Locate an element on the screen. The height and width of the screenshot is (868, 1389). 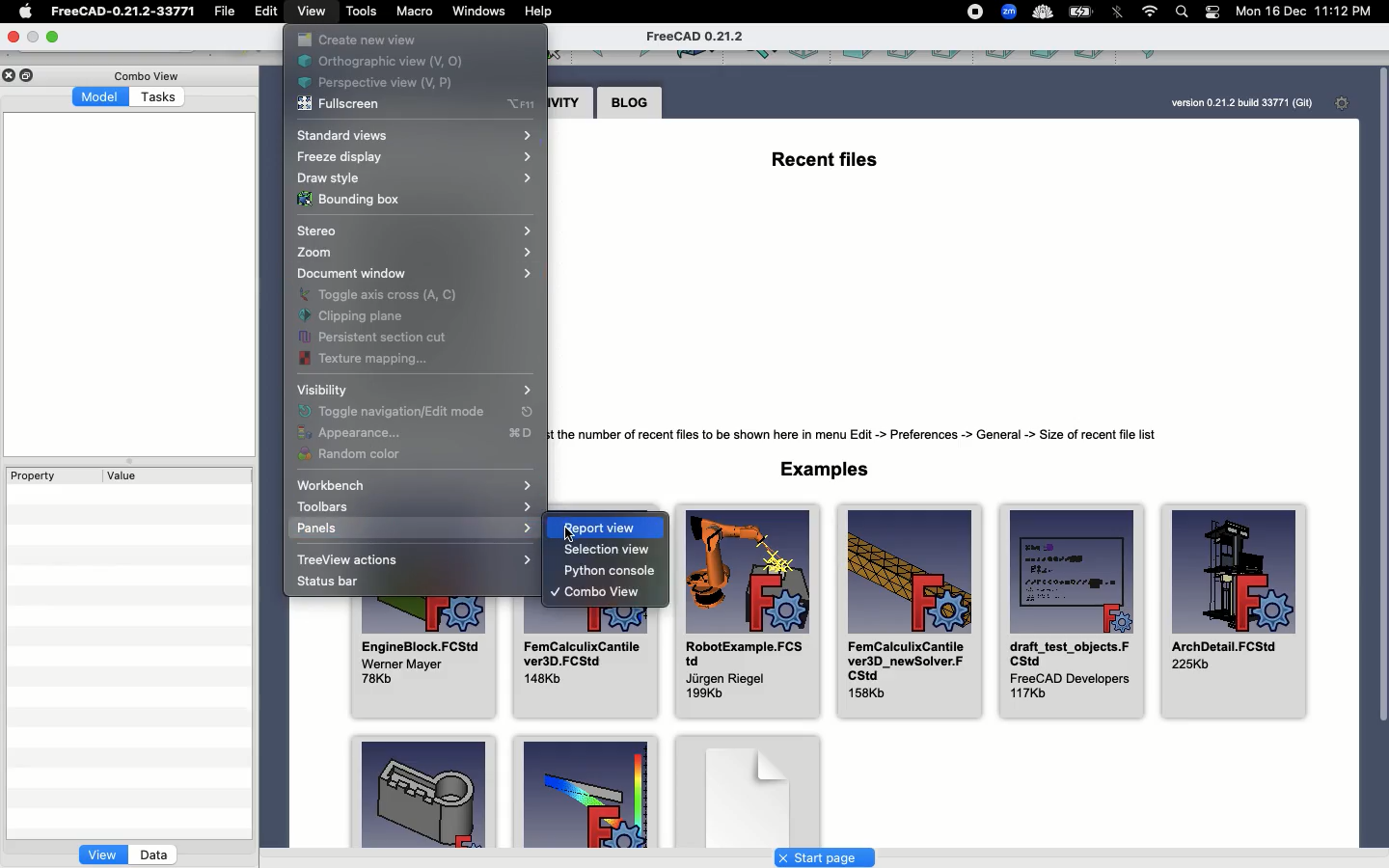
version 0.21.2 bulld 33771 (Git) is located at coordinates (1239, 102).